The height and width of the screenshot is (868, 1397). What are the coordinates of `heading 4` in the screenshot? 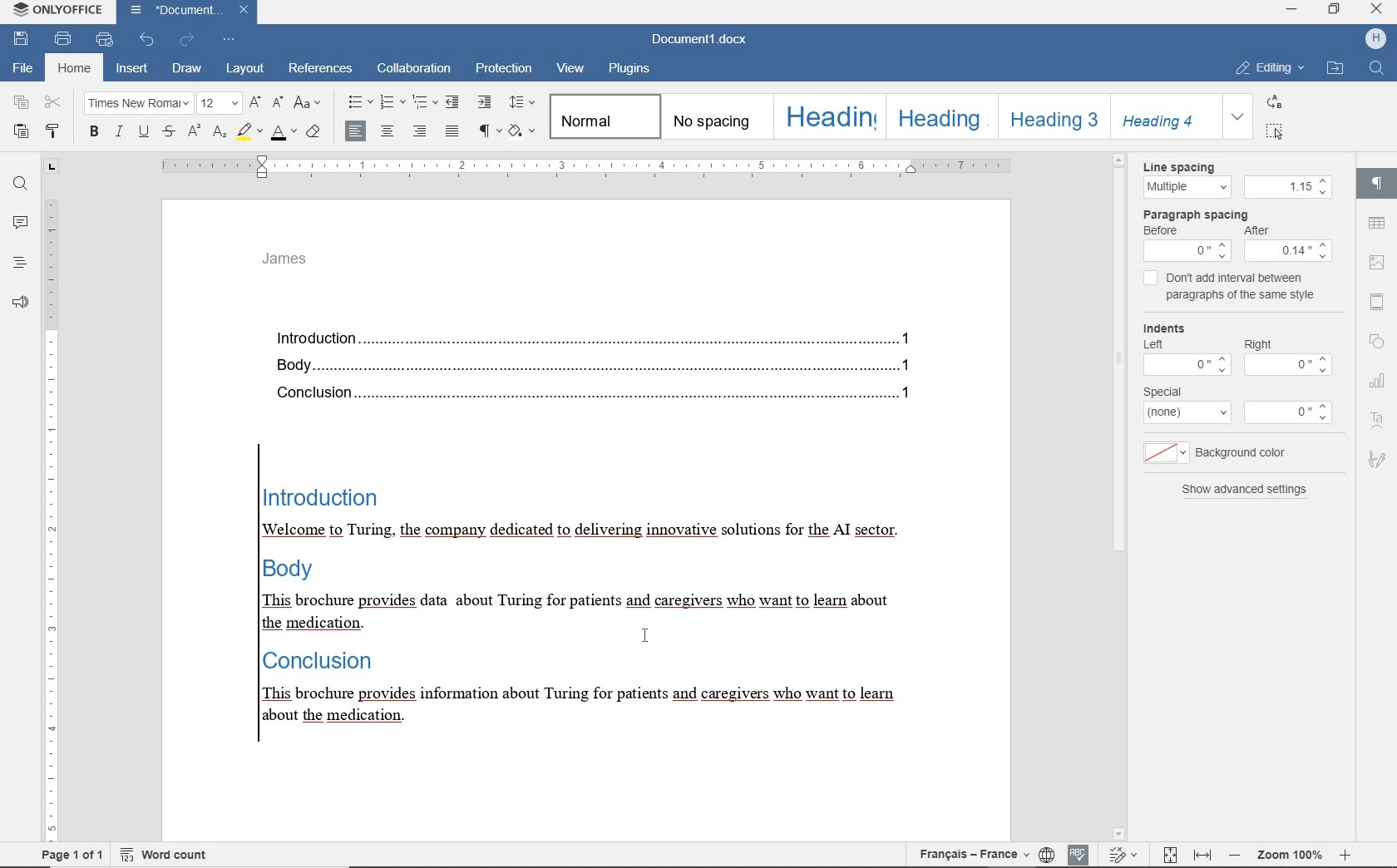 It's located at (1163, 116).